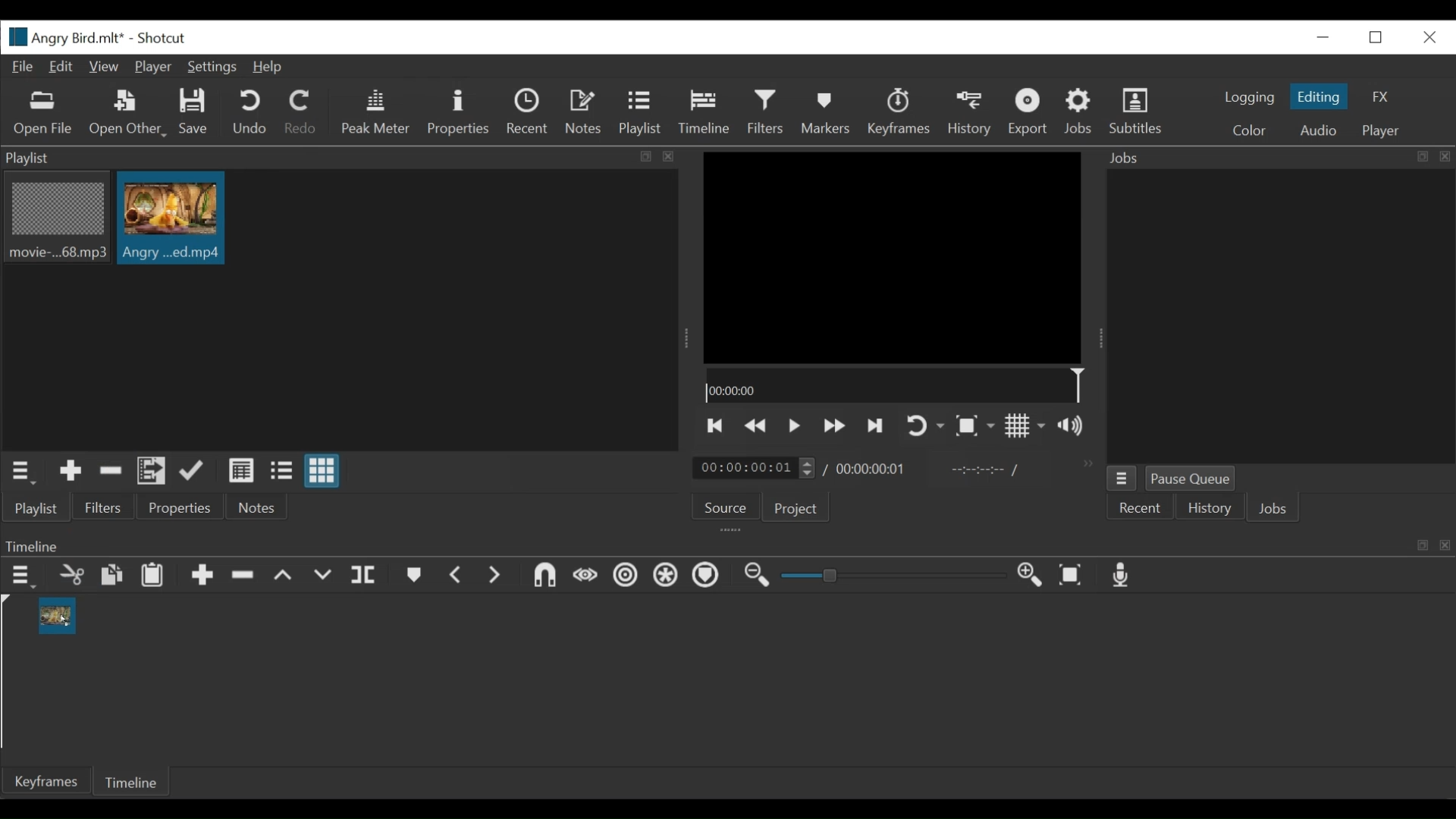 Image resolution: width=1456 pixels, height=819 pixels. I want to click on minimize, so click(1320, 38).